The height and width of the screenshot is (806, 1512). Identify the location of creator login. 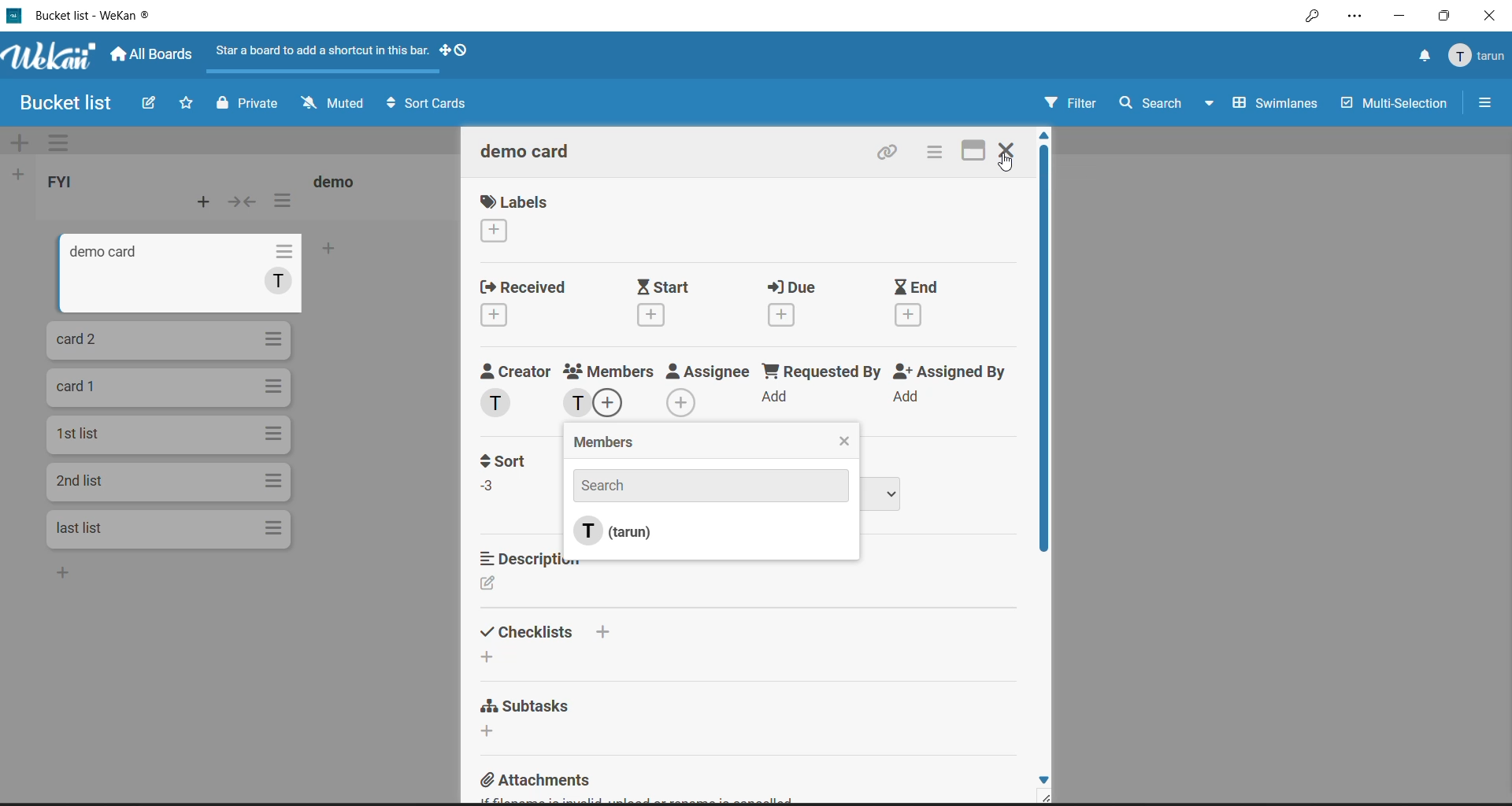
(499, 402).